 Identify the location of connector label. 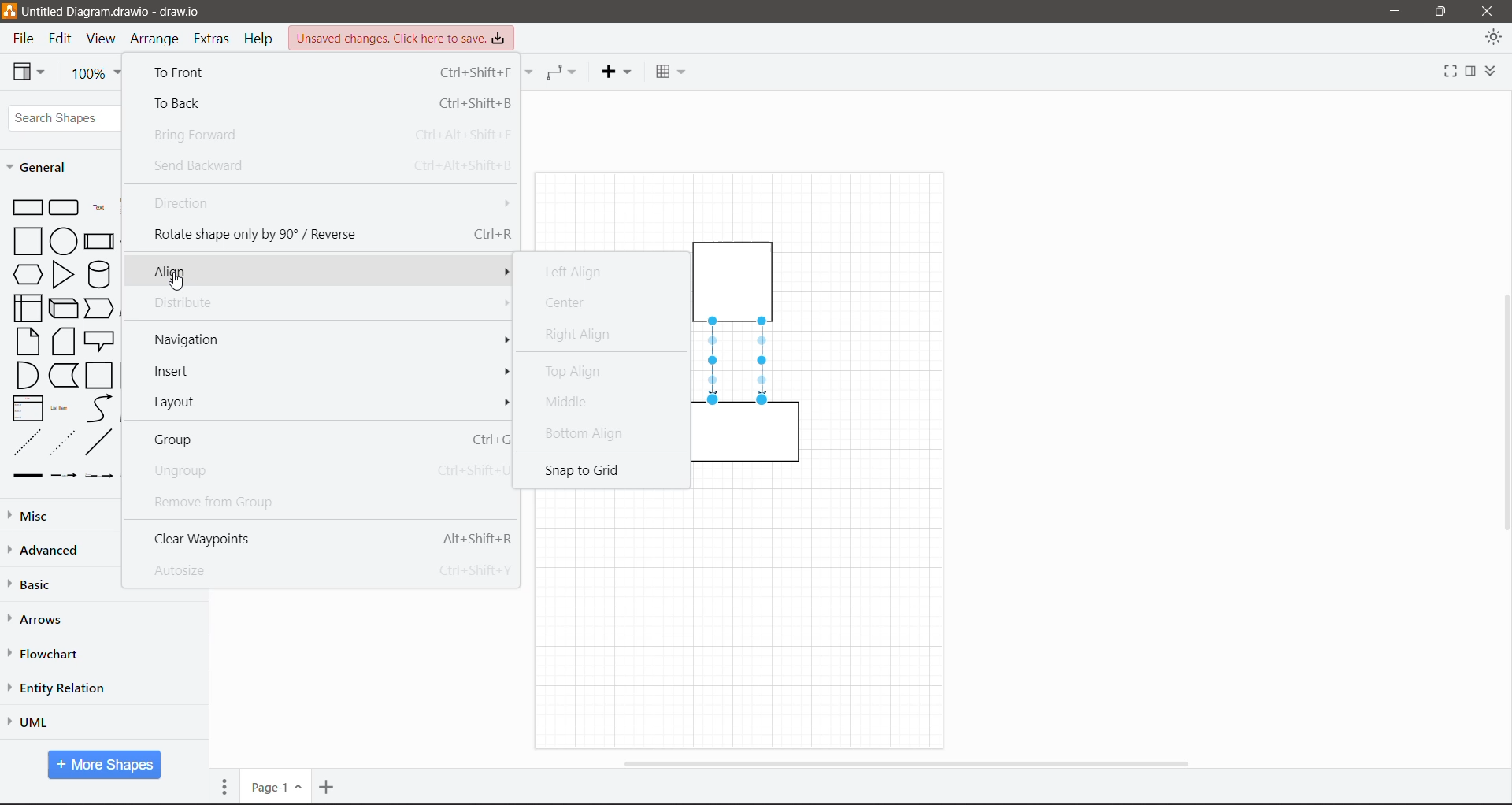
(64, 475).